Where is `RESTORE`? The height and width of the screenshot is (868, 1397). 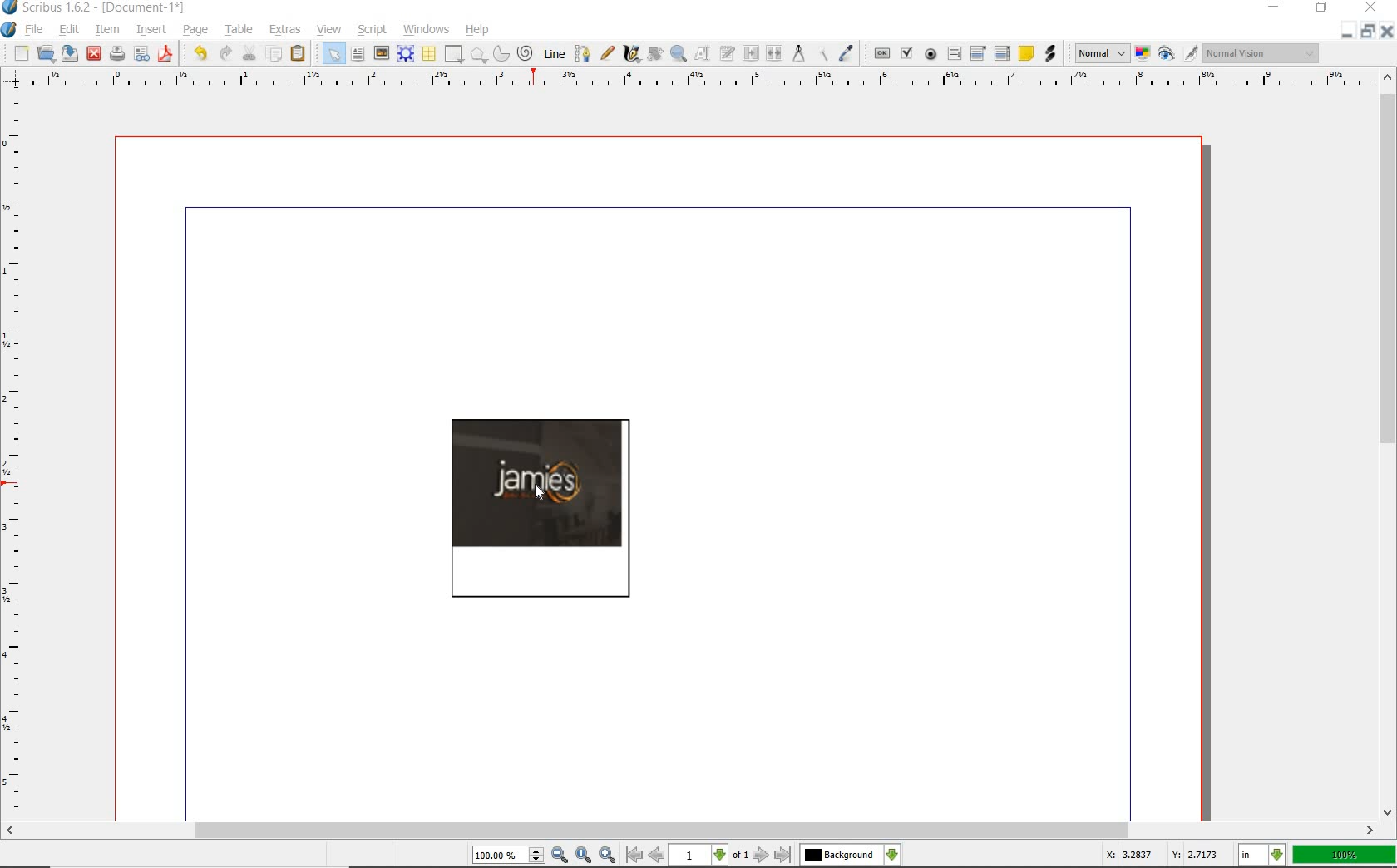
RESTORE is located at coordinates (1370, 31).